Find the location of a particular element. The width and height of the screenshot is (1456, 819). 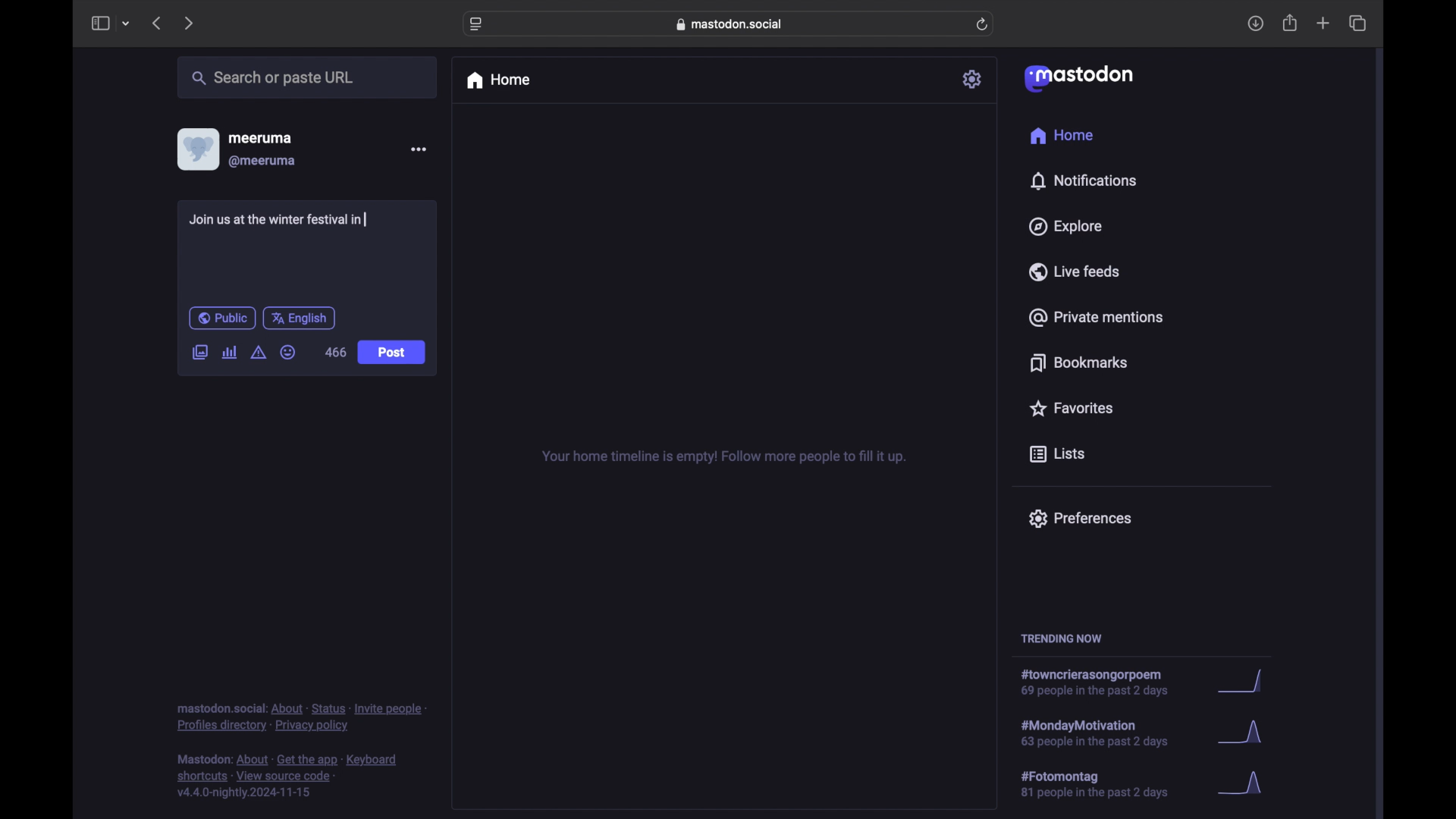

web address is located at coordinates (733, 24).